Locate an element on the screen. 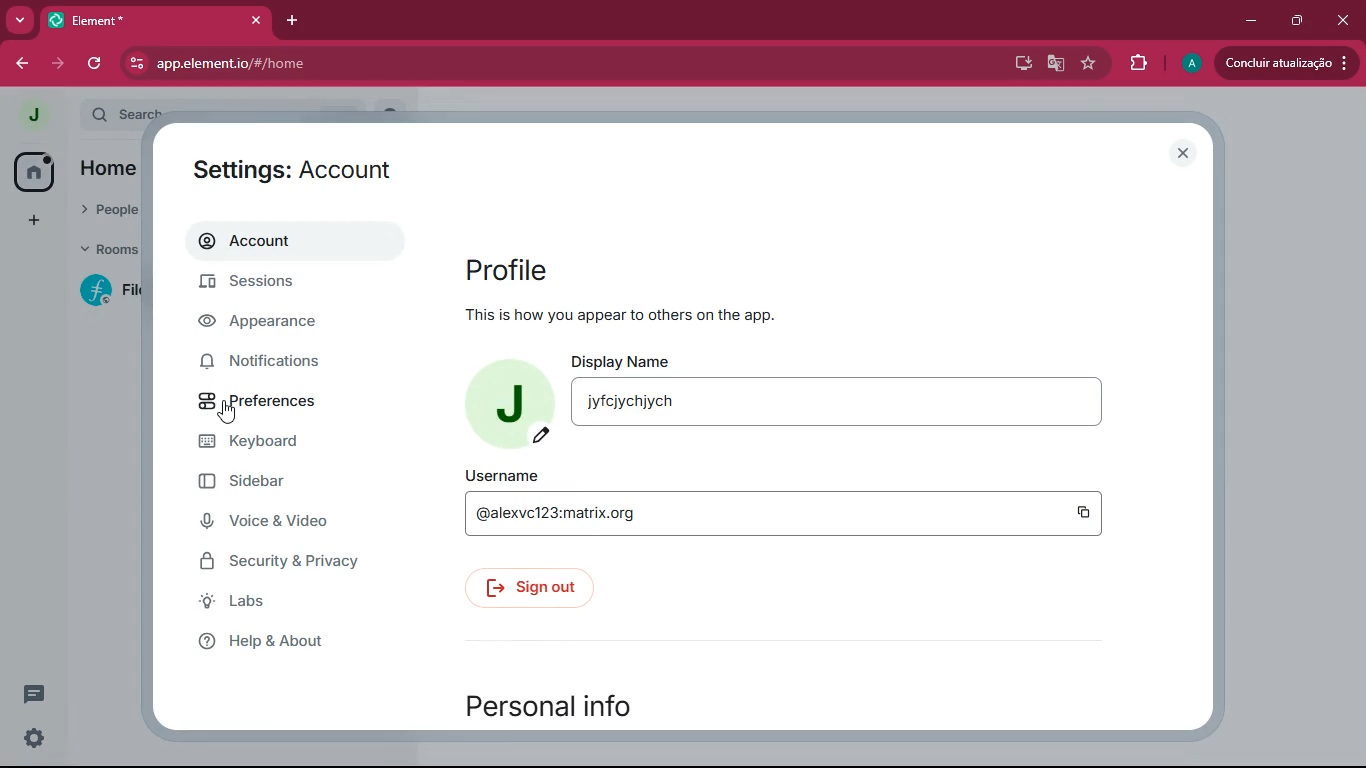 Image resolution: width=1366 pixels, height=768 pixels. minimize is located at coordinates (1250, 21).